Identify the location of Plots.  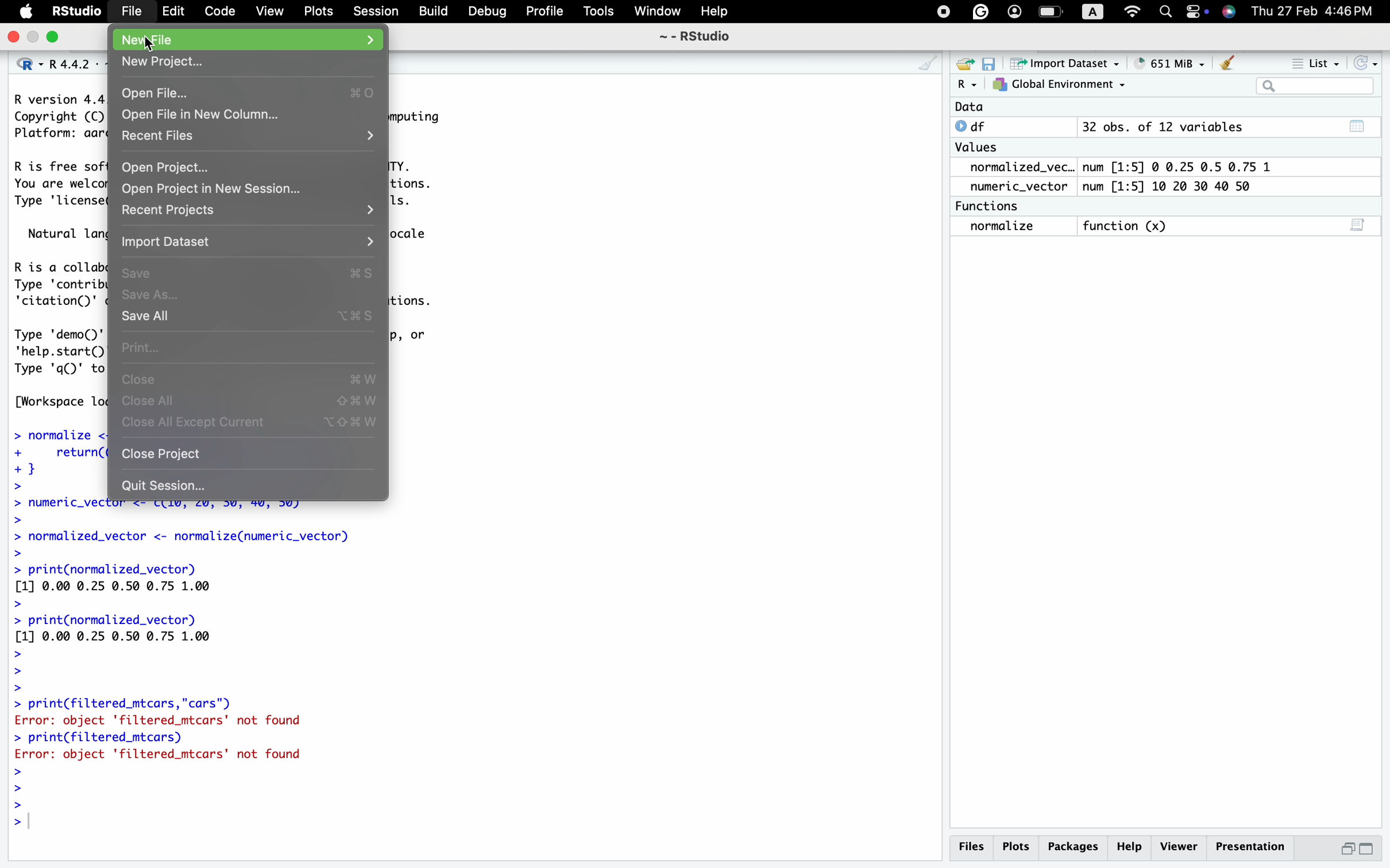
(1018, 845).